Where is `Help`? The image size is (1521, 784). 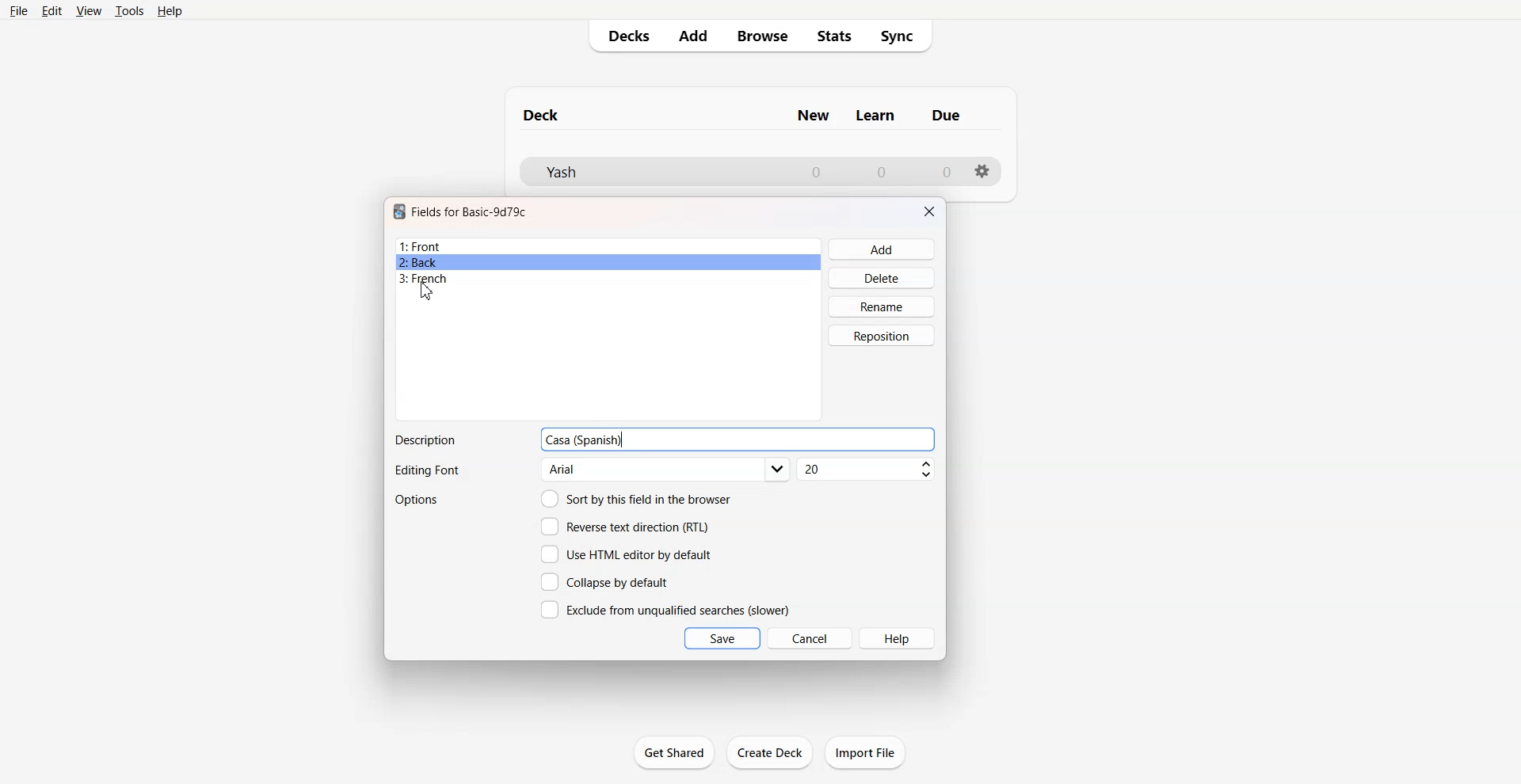 Help is located at coordinates (898, 638).